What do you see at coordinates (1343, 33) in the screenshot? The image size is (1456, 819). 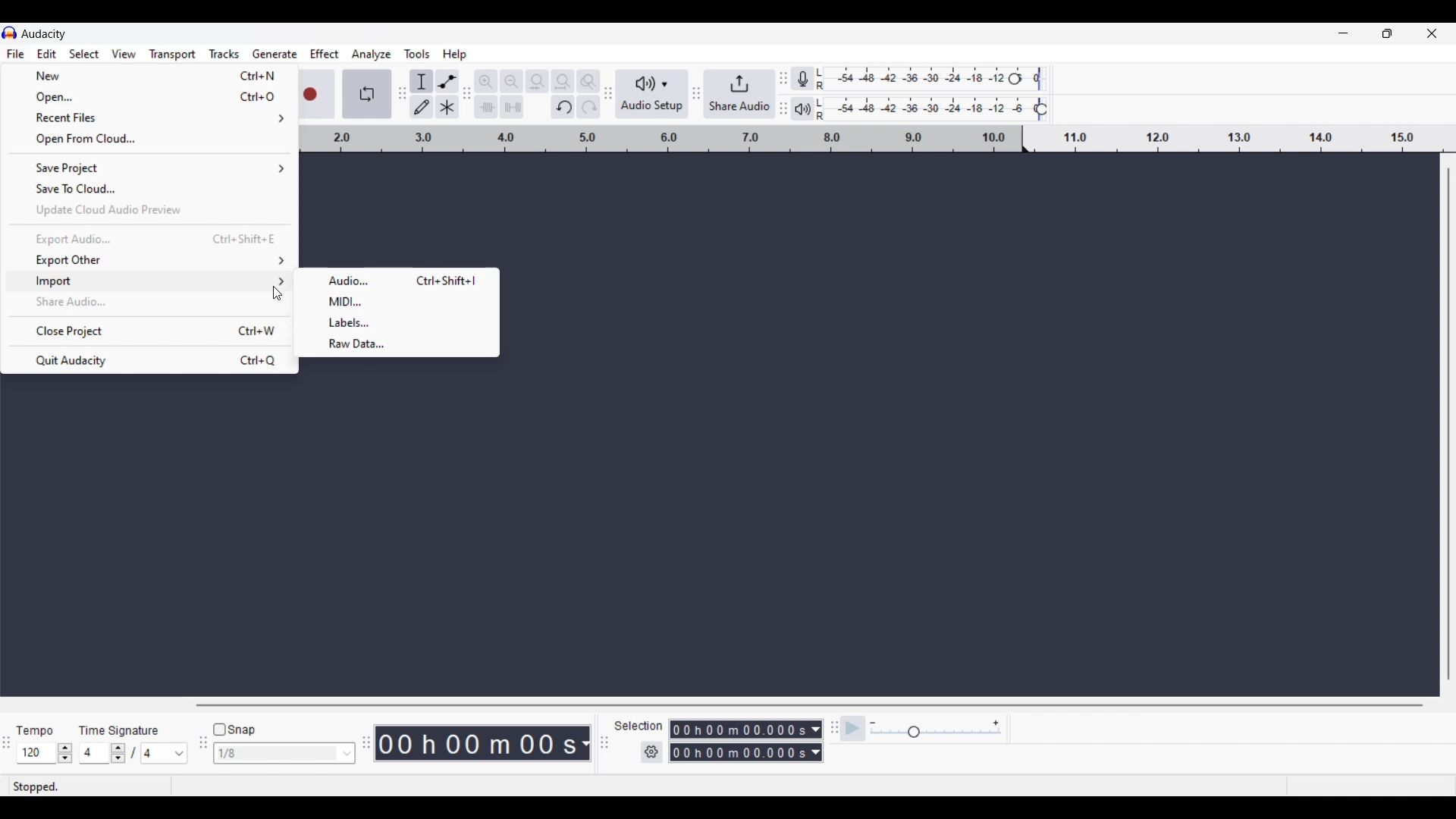 I see `Minimize` at bounding box center [1343, 33].